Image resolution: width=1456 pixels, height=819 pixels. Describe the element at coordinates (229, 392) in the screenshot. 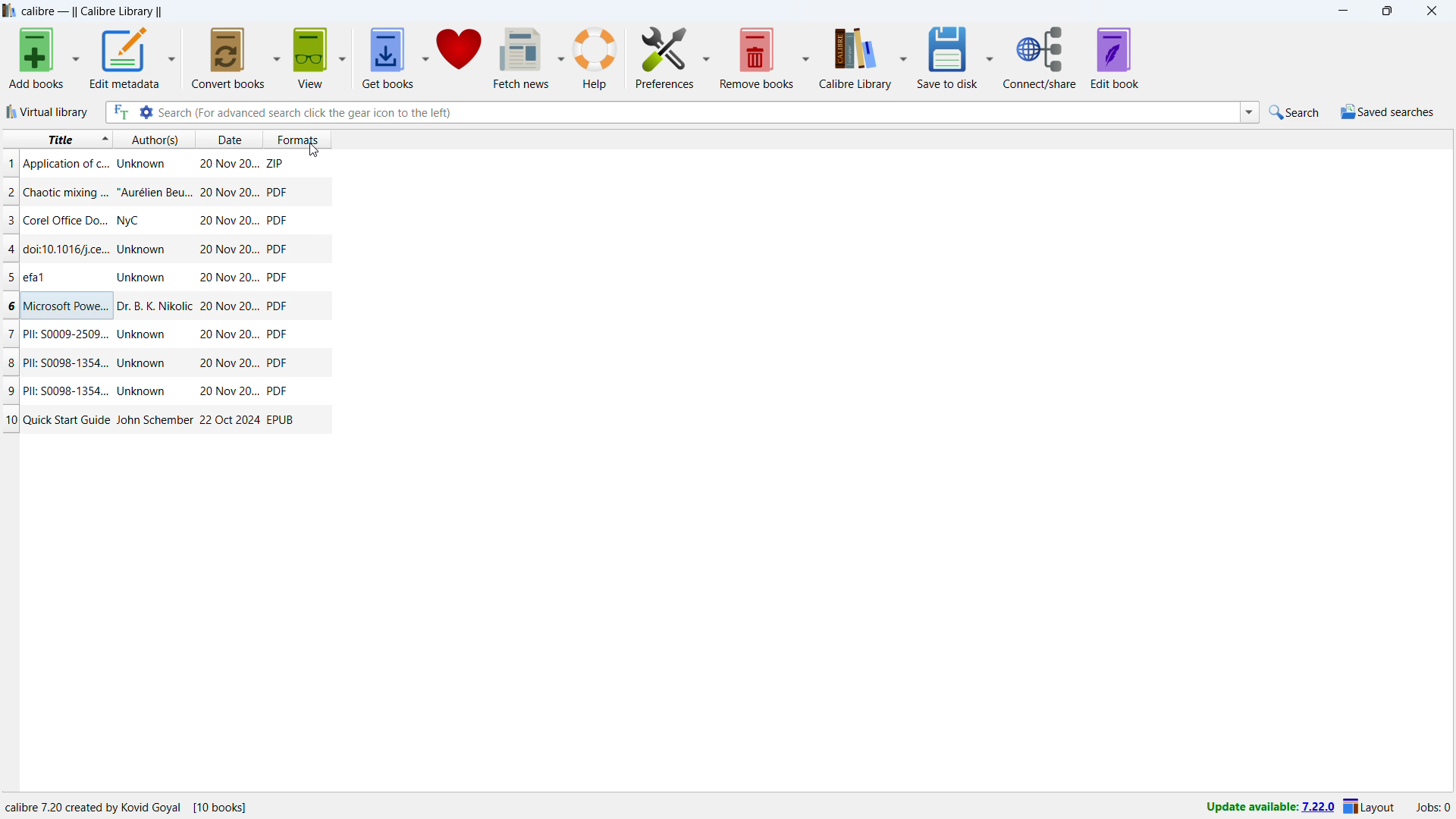

I see `date` at that location.